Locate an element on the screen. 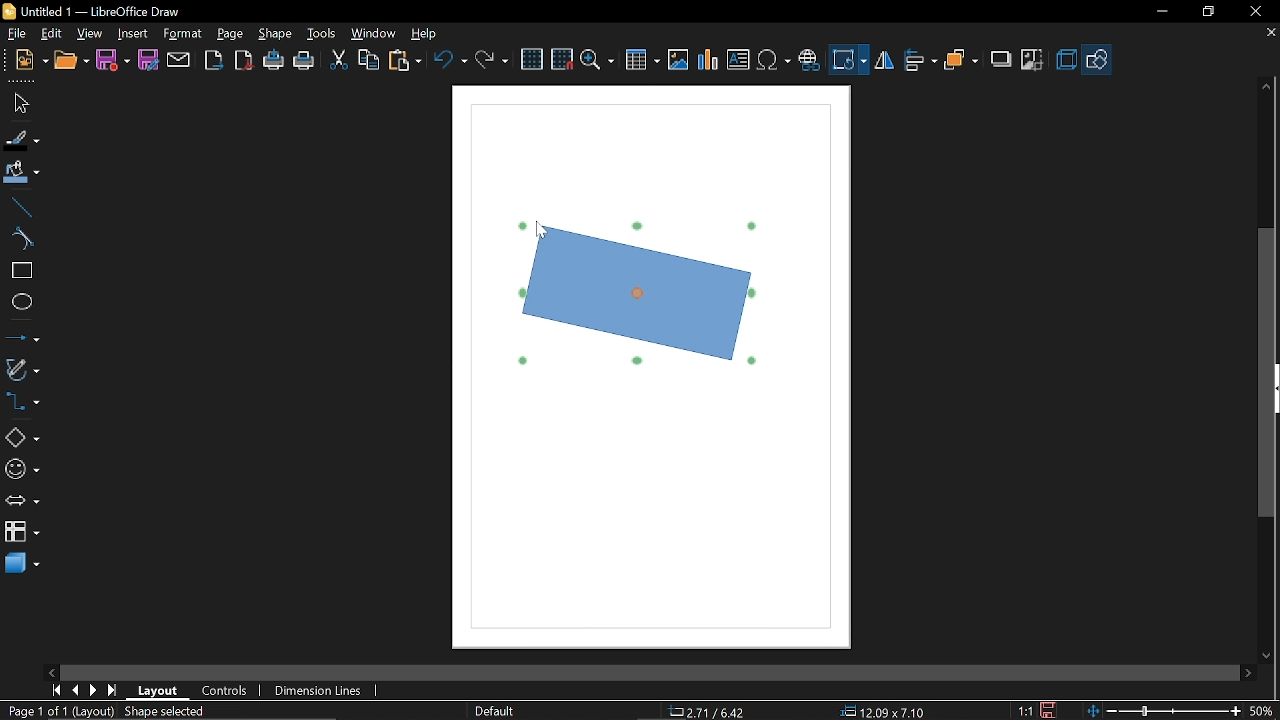 This screenshot has height=720, width=1280. Copy is located at coordinates (368, 59).